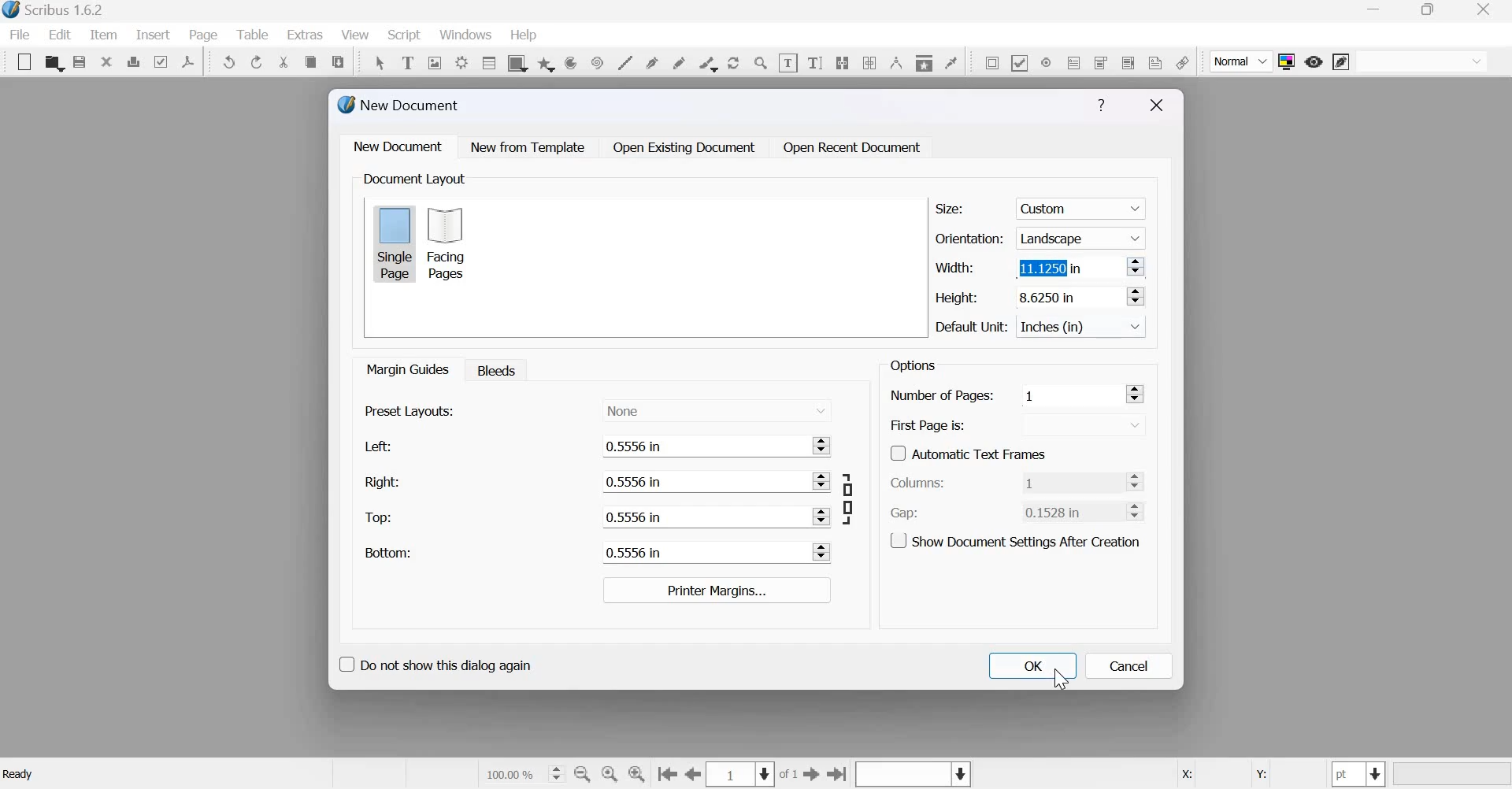 This screenshot has width=1512, height=789. What do you see at coordinates (787, 62) in the screenshot?
I see `edit contents of frame` at bounding box center [787, 62].